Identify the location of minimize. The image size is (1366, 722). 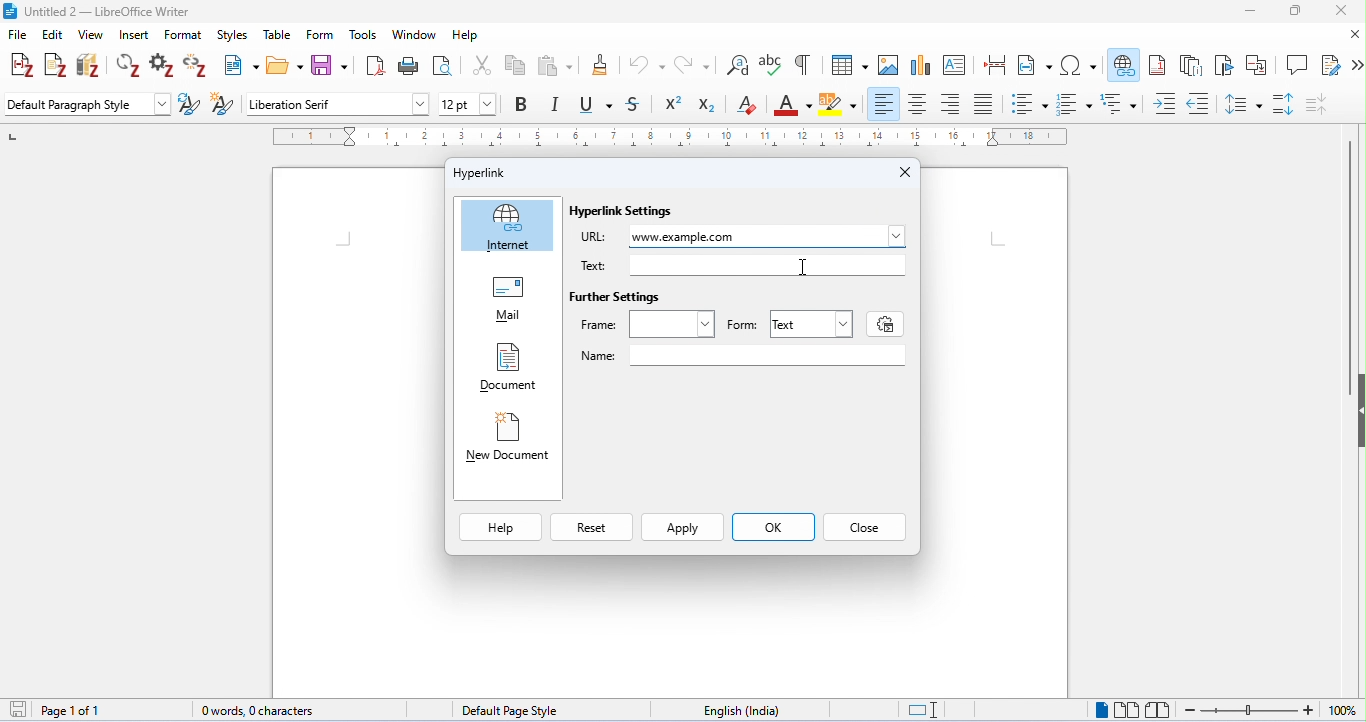
(1248, 12).